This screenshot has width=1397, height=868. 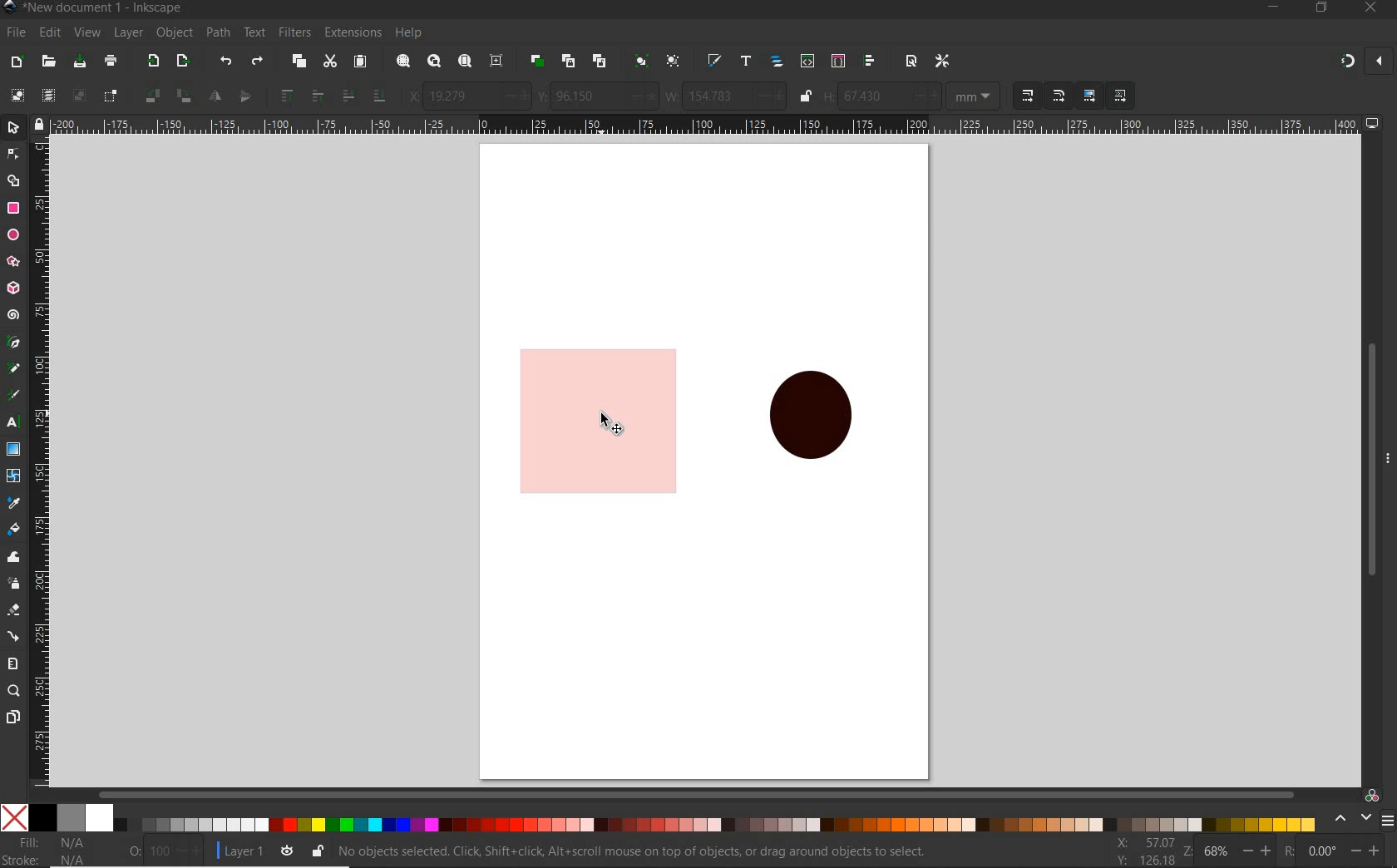 I want to click on open text, so click(x=747, y=62).